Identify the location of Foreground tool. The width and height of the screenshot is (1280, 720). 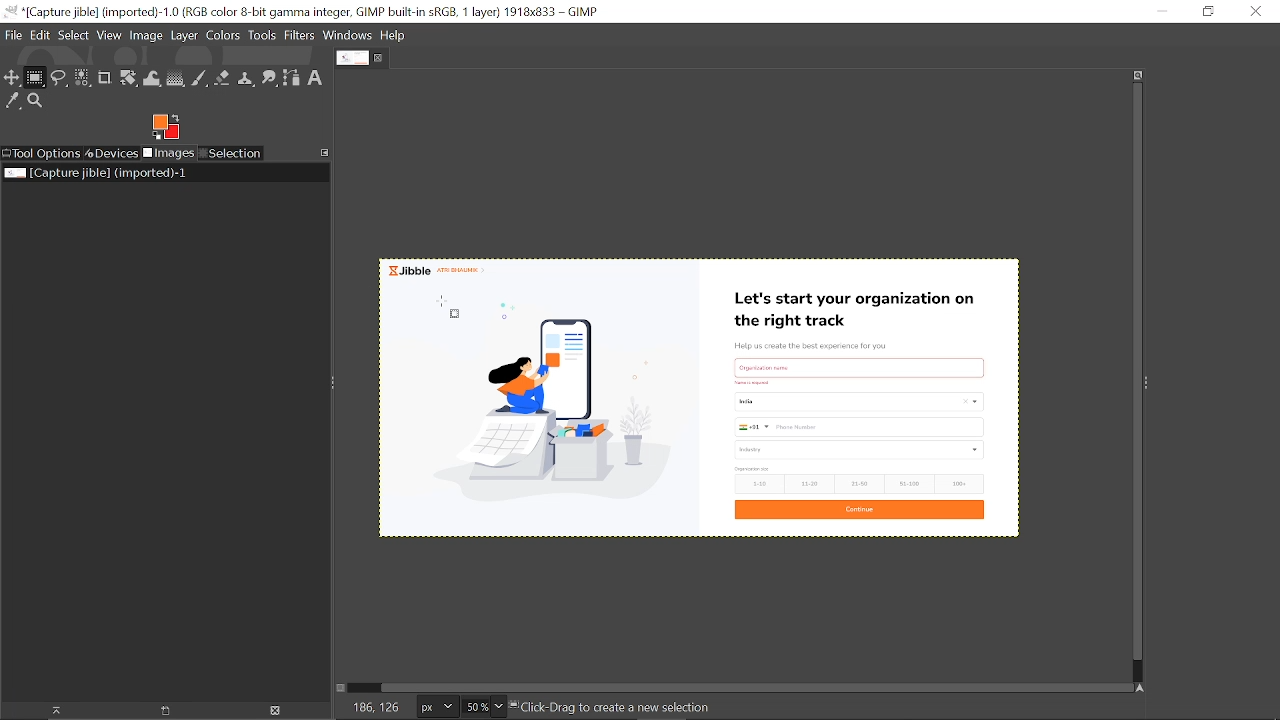
(165, 127).